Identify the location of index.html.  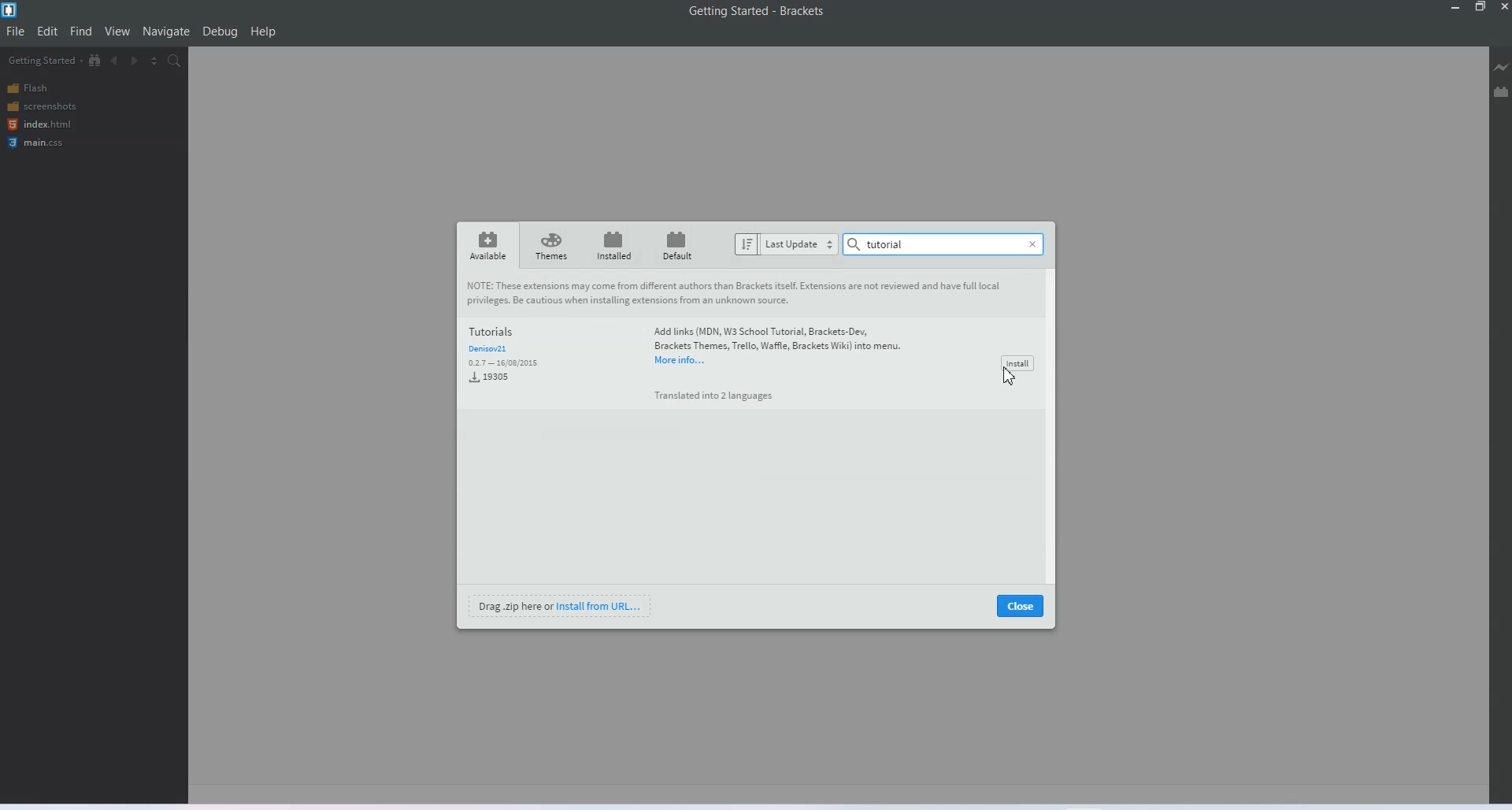
(39, 124).